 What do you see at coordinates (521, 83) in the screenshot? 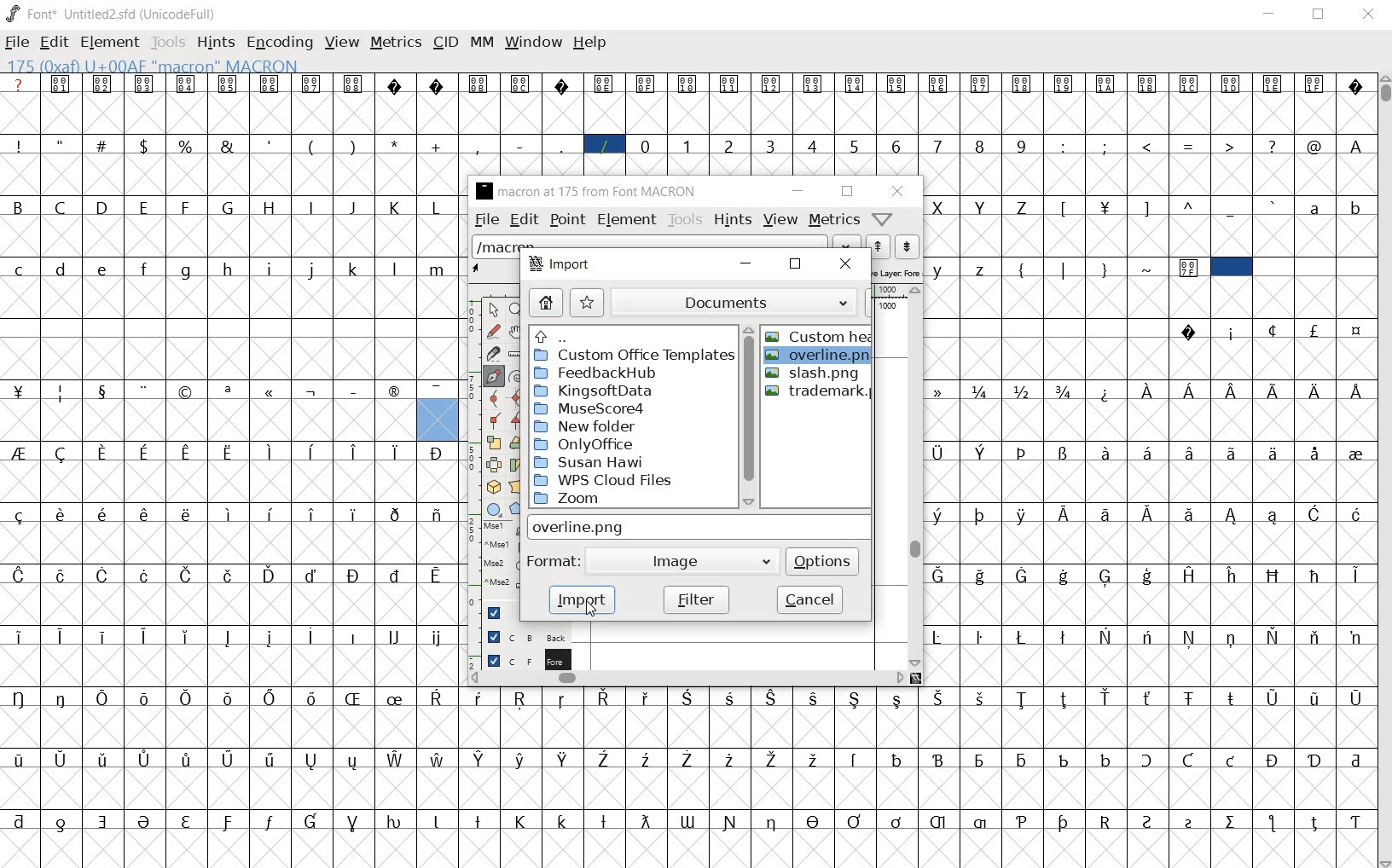
I see `Symbol` at bounding box center [521, 83].